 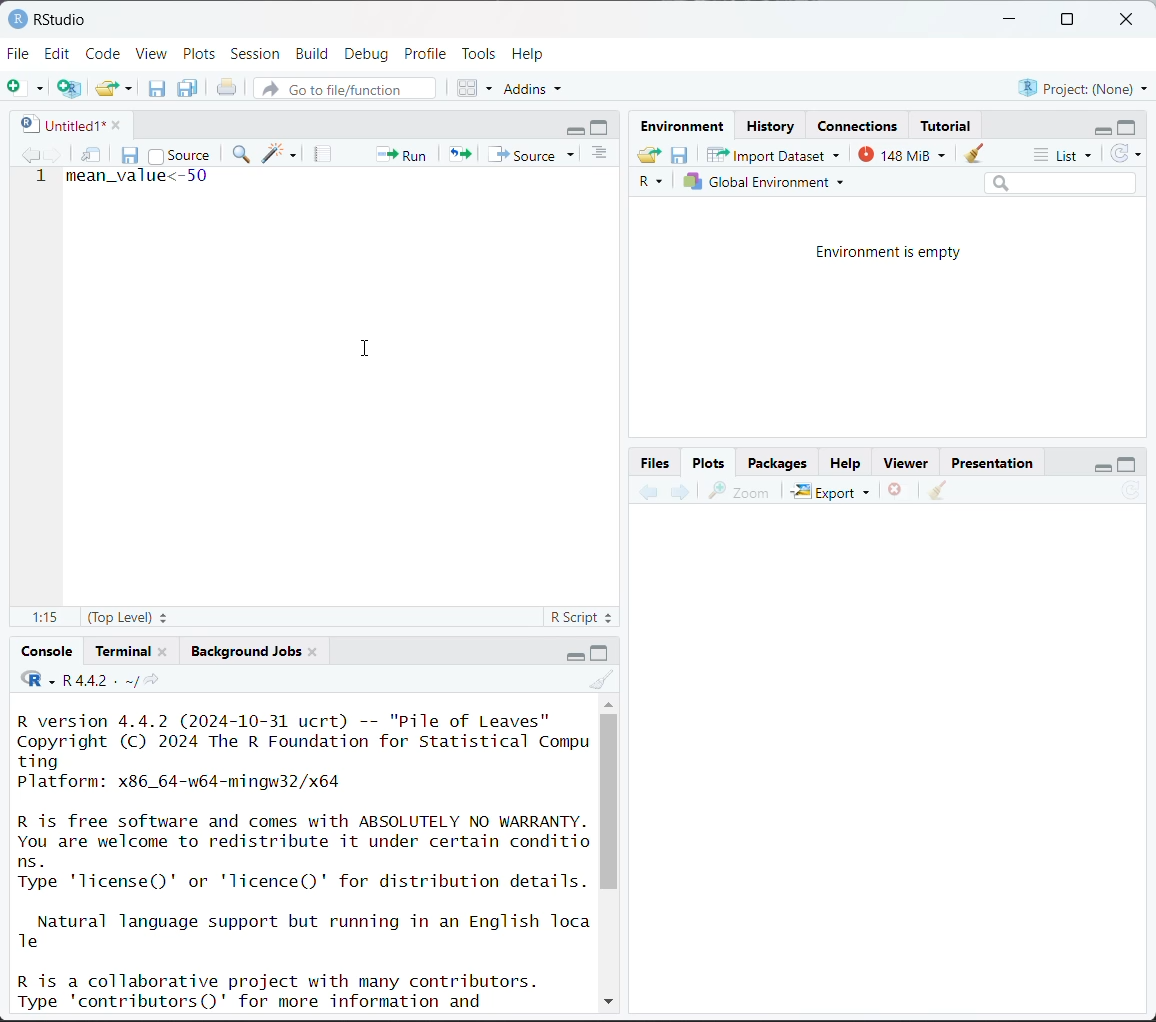 I want to click on (top level), so click(x=130, y=617).